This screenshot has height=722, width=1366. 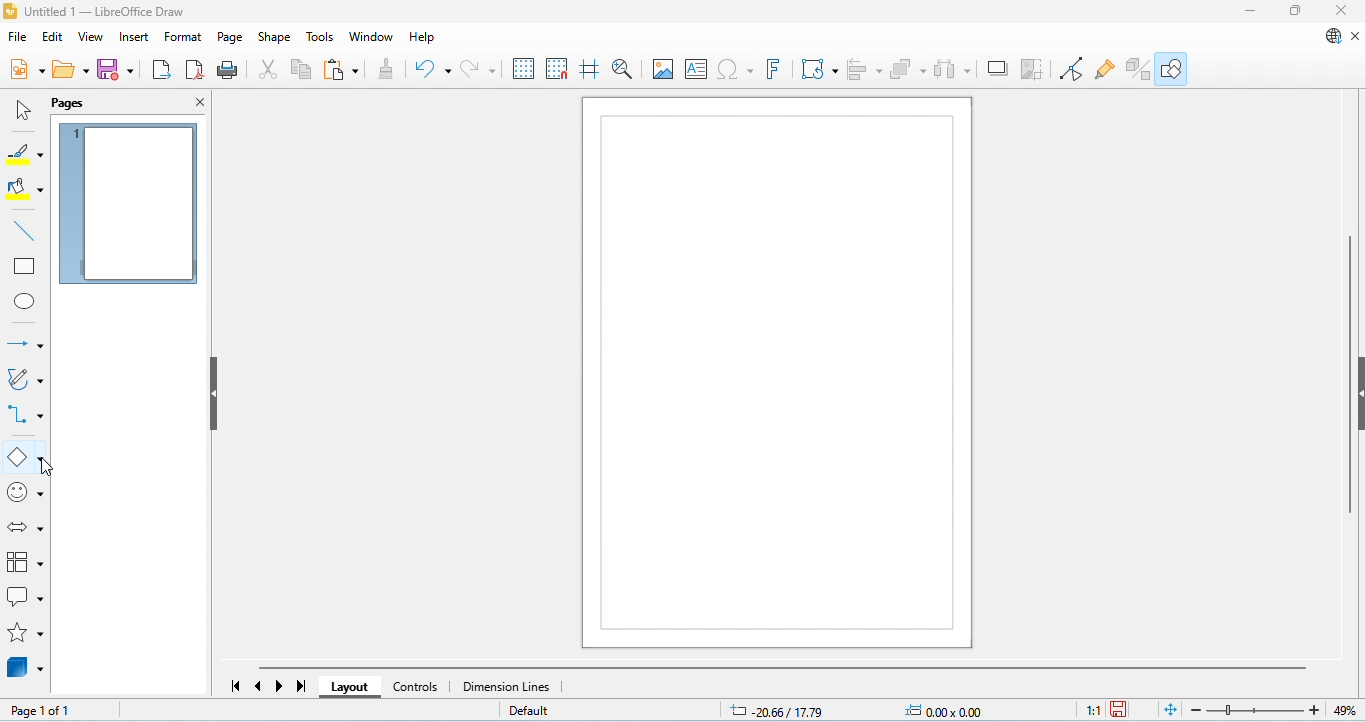 I want to click on object size, so click(x=950, y=711).